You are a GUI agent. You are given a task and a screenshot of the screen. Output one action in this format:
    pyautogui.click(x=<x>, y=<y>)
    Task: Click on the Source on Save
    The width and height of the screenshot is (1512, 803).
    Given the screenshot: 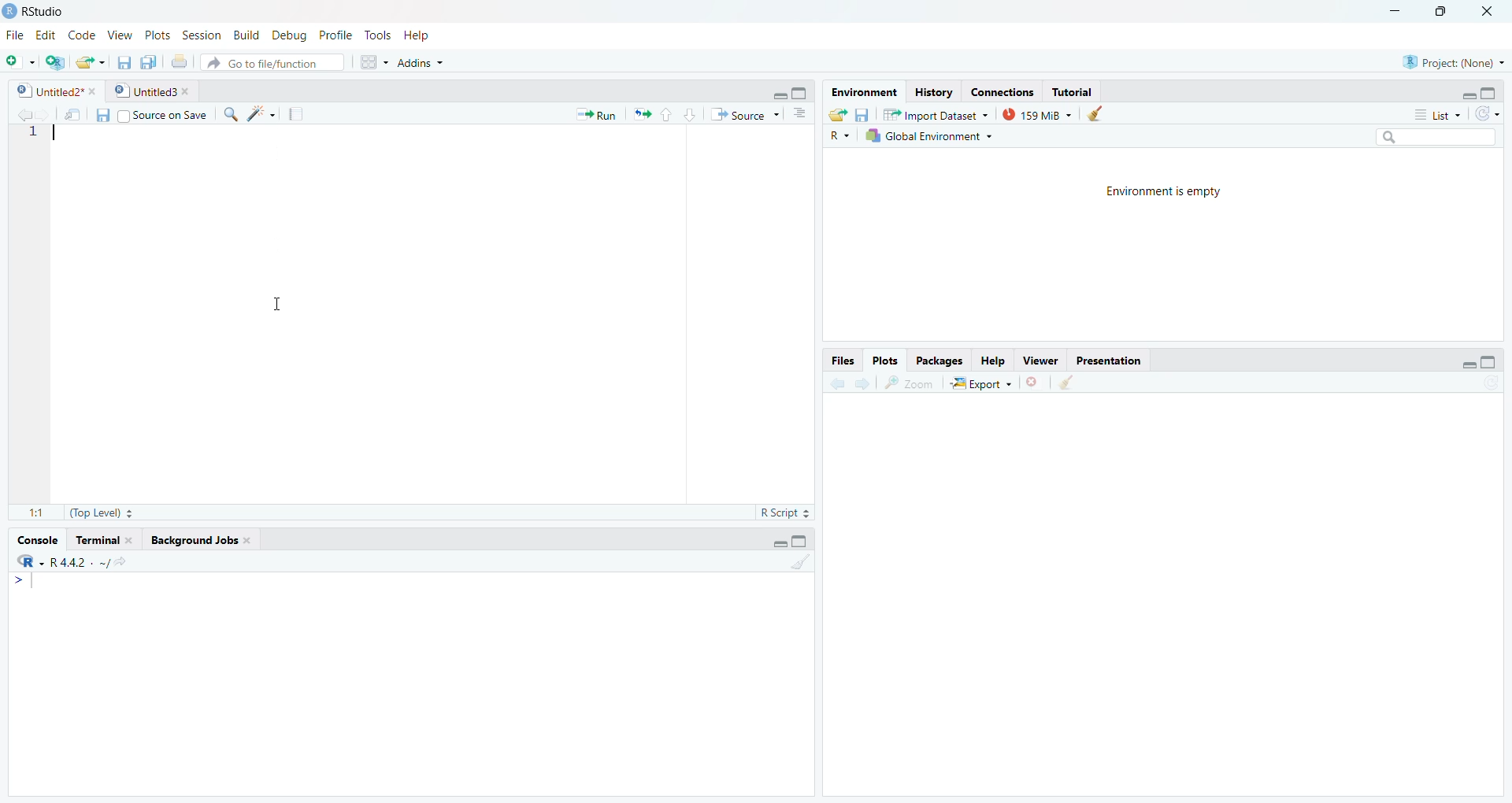 What is the action you would take?
    pyautogui.click(x=161, y=116)
    